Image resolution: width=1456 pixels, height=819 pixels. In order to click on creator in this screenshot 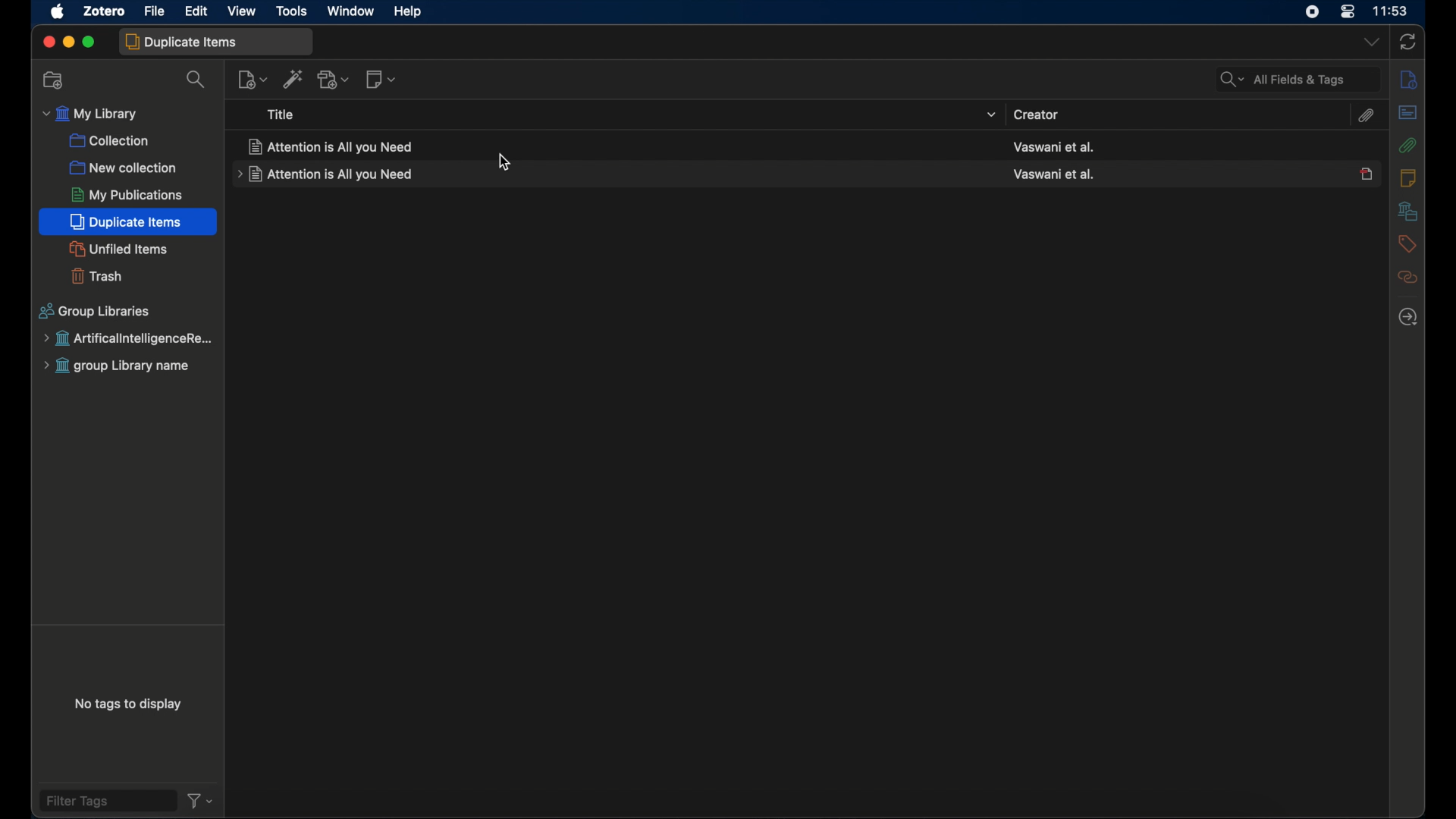, I will do `click(1037, 115)`.